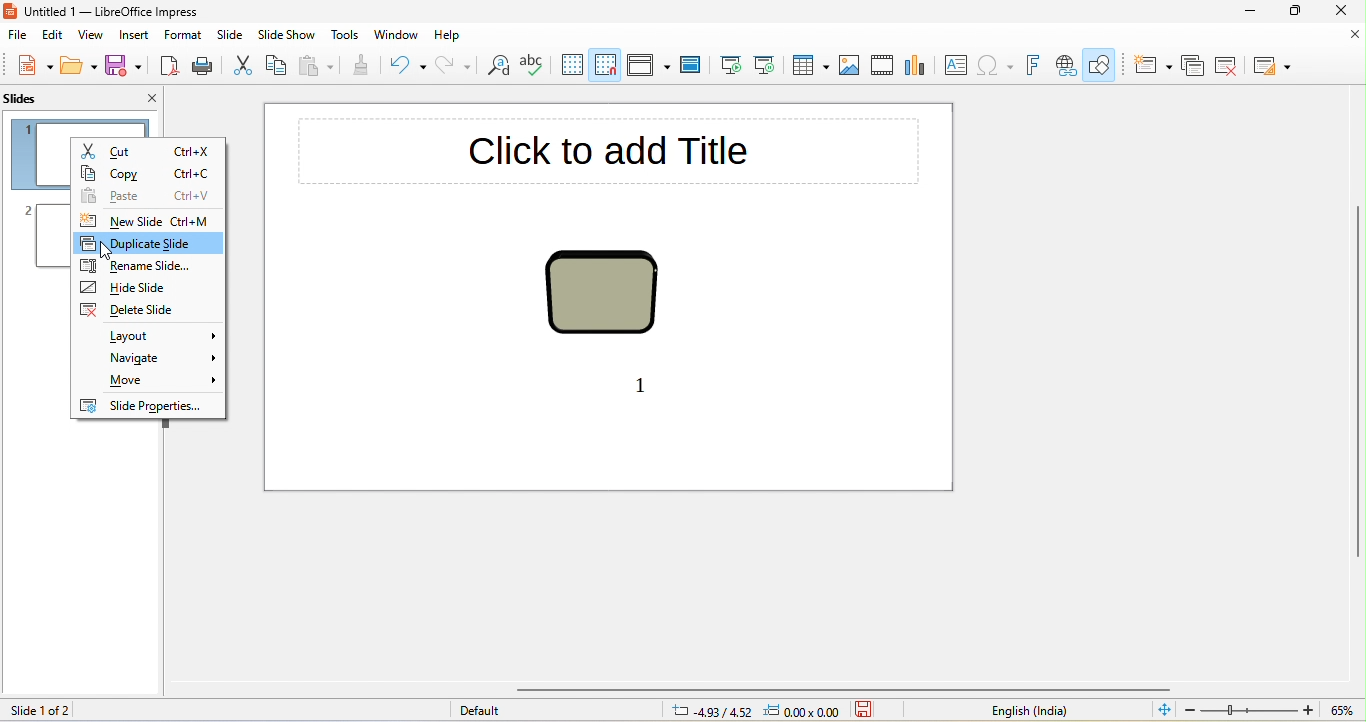  Describe the element at coordinates (502, 711) in the screenshot. I see `default` at that location.